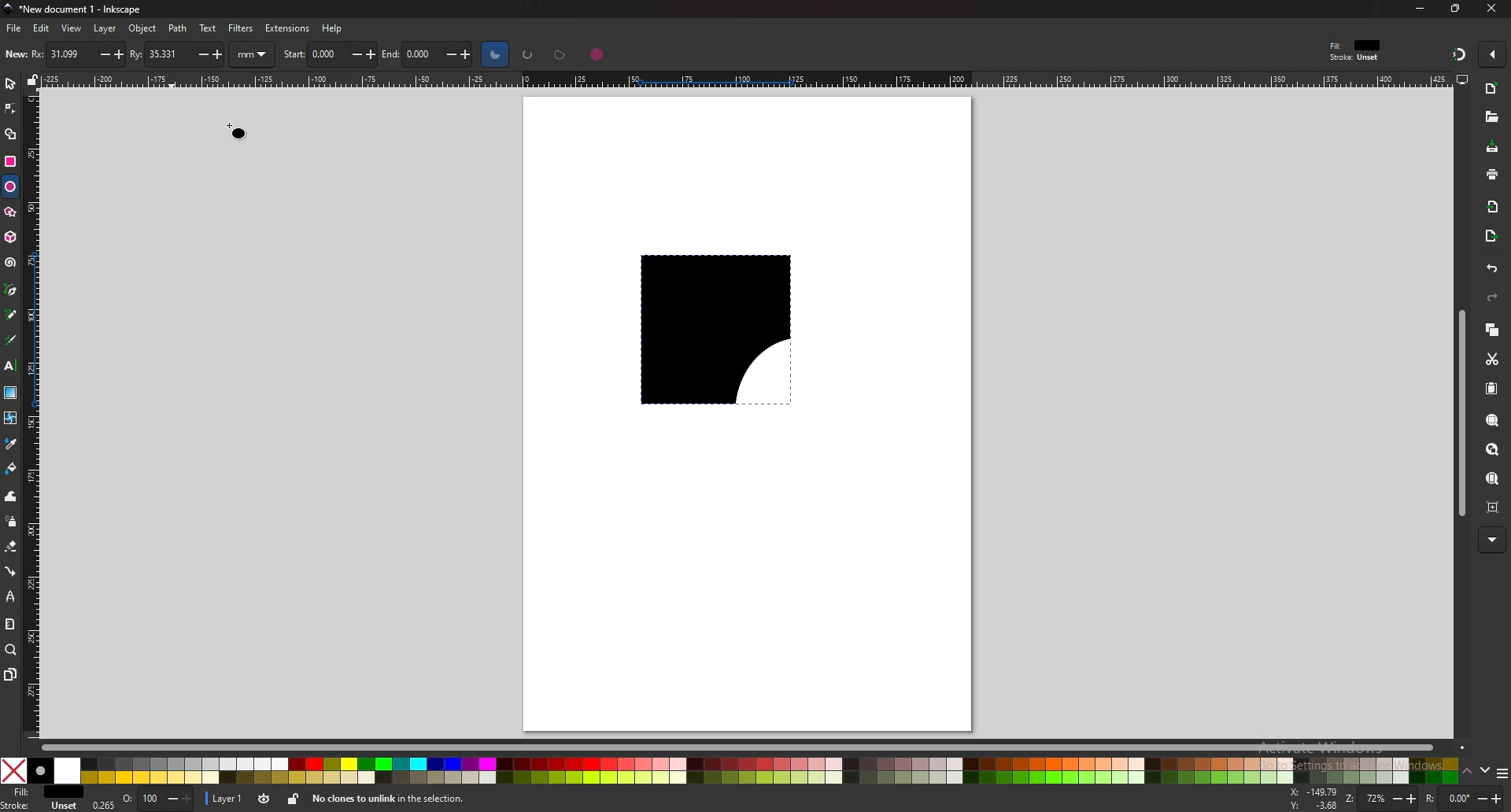 The width and height of the screenshot is (1511, 812). What do you see at coordinates (42, 806) in the screenshot?
I see `stroke` at bounding box center [42, 806].